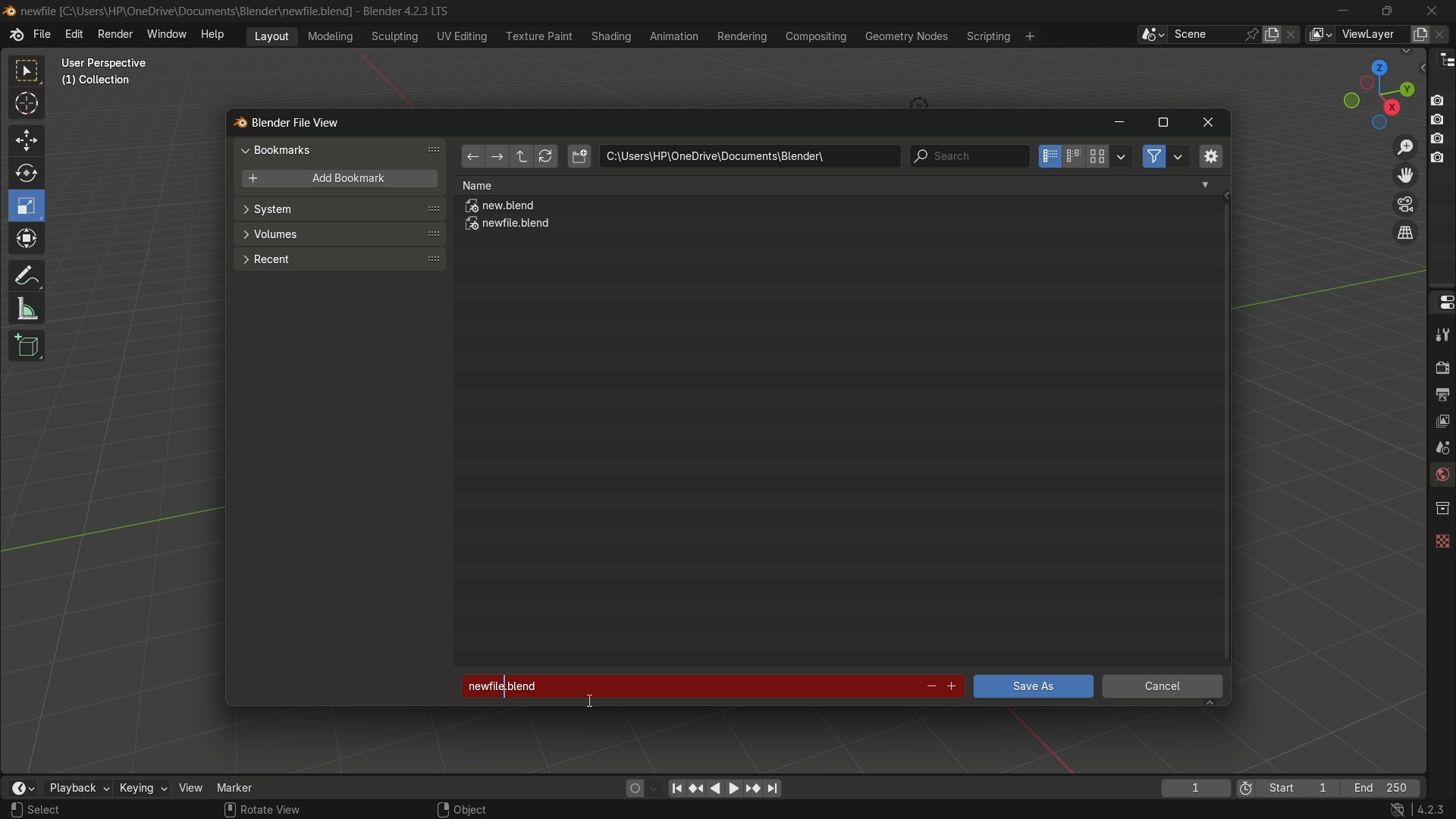 The height and width of the screenshot is (819, 1456). Describe the element at coordinates (335, 180) in the screenshot. I see `add bookmark` at that location.